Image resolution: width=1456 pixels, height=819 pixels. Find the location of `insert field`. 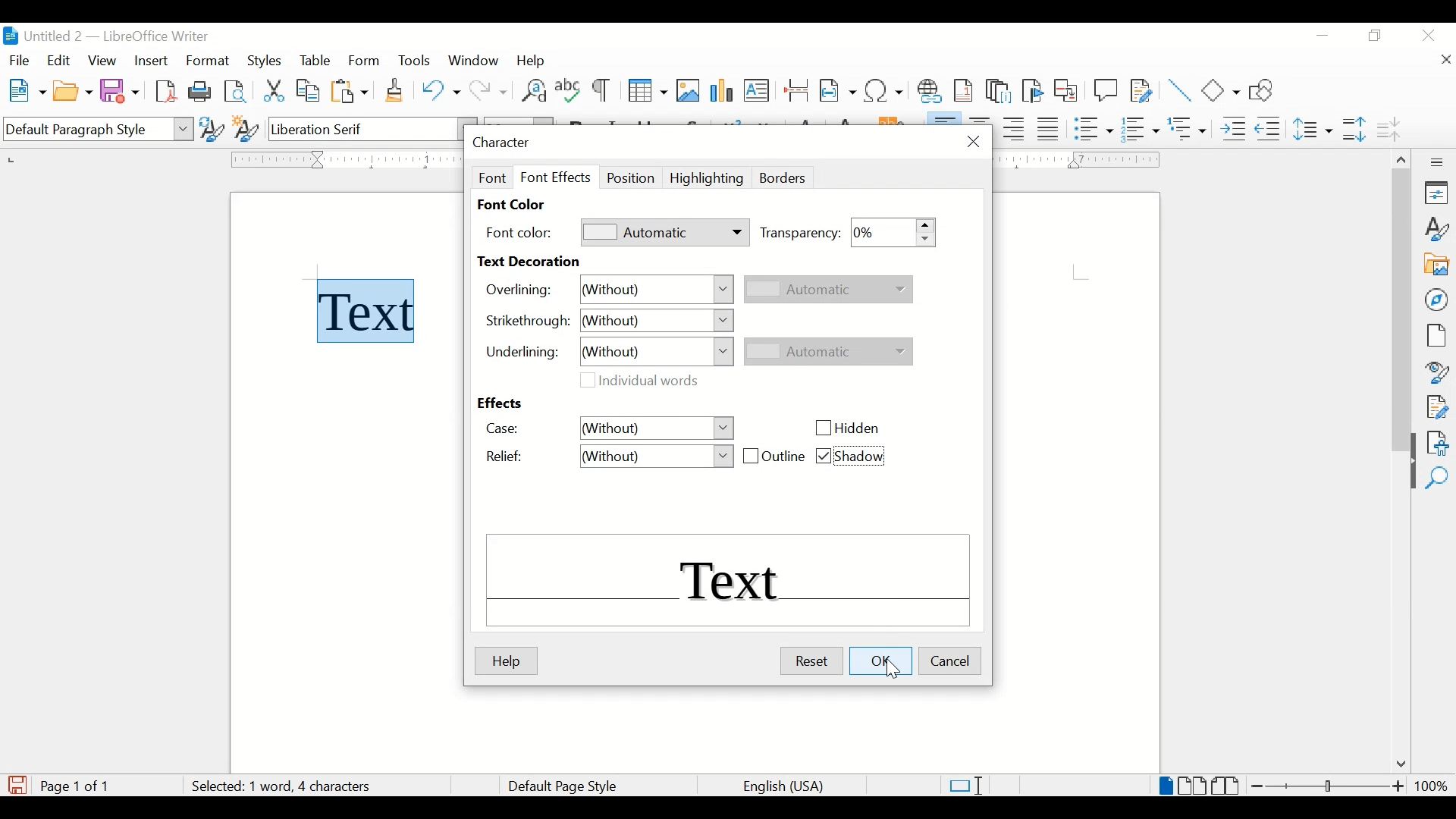

insert field is located at coordinates (838, 90).